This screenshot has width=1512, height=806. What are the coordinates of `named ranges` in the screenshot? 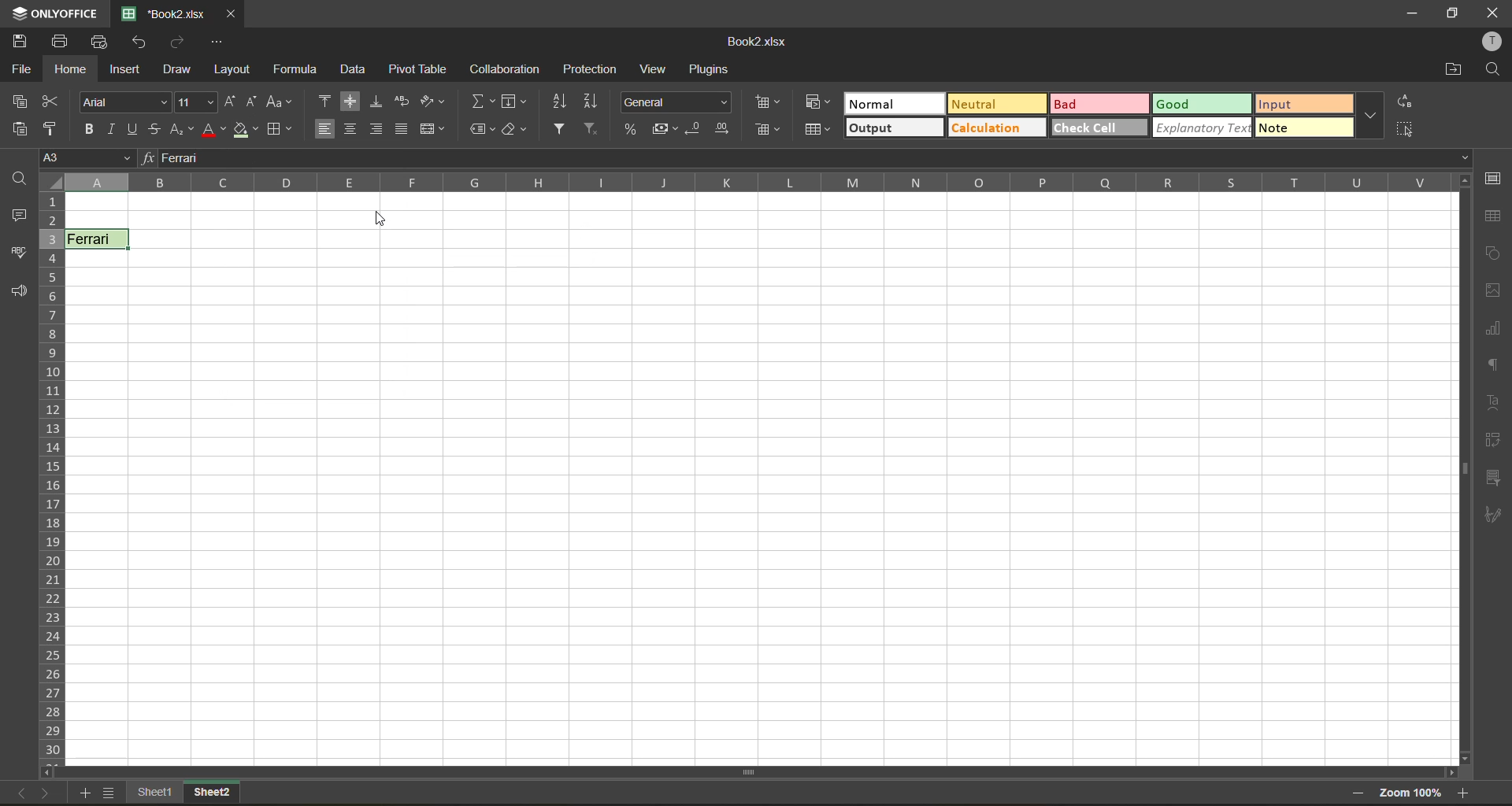 It's located at (480, 131).